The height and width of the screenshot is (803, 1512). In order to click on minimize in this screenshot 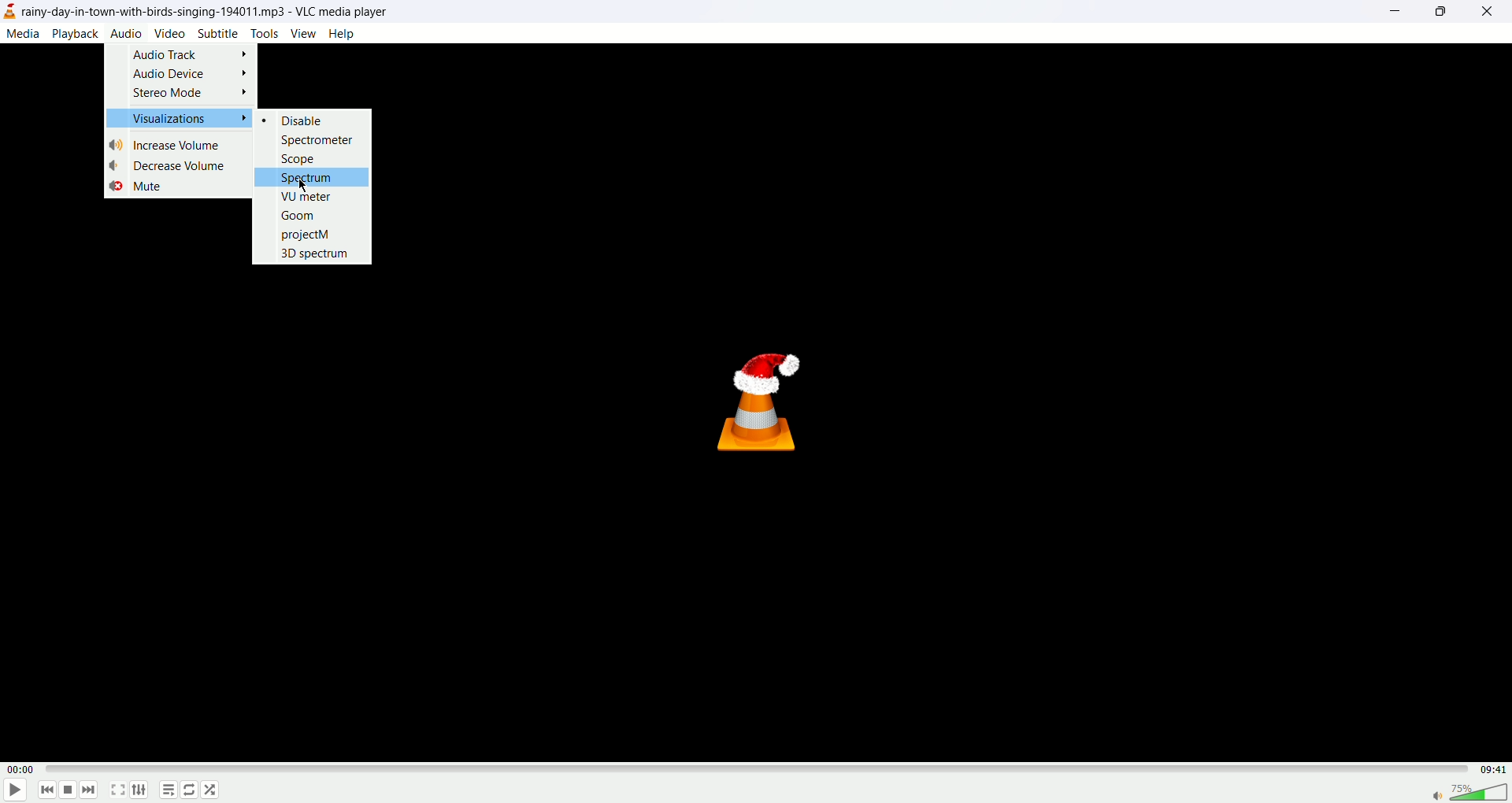, I will do `click(1395, 13)`.